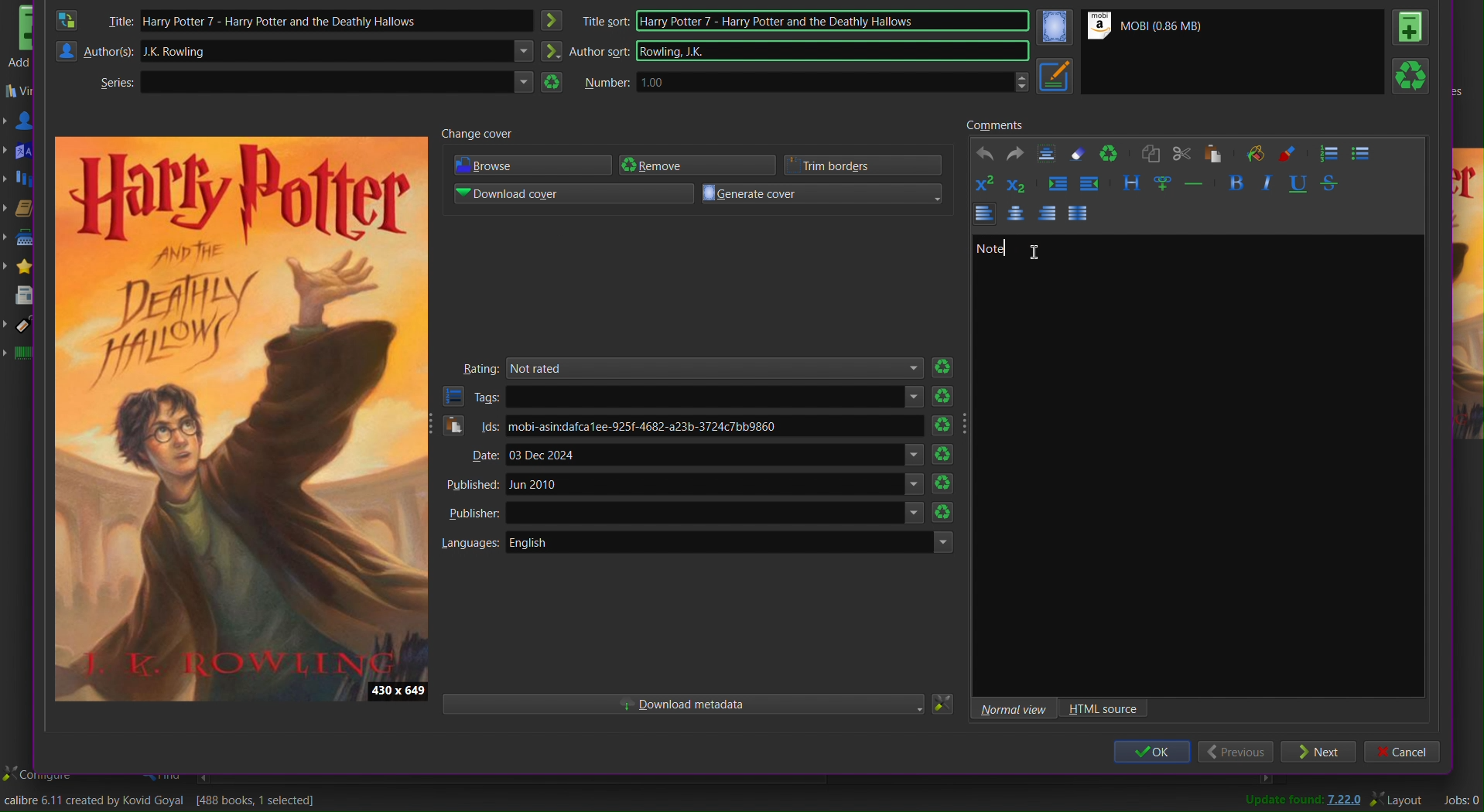  Describe the element at coordinates (1089, 184) in the screenshot. I see `Decrease indent` at that location.